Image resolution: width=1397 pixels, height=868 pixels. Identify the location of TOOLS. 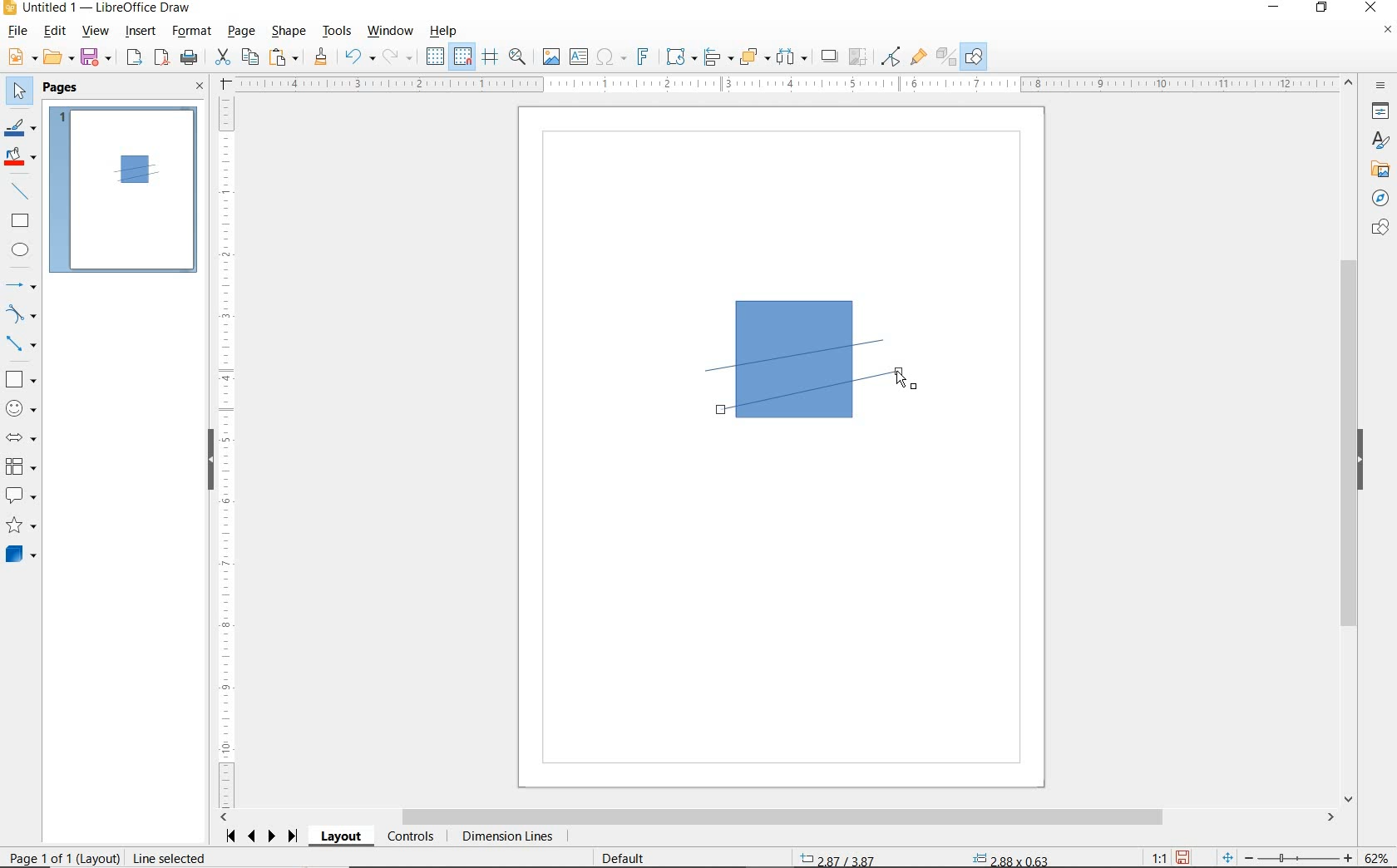
(338, 32).